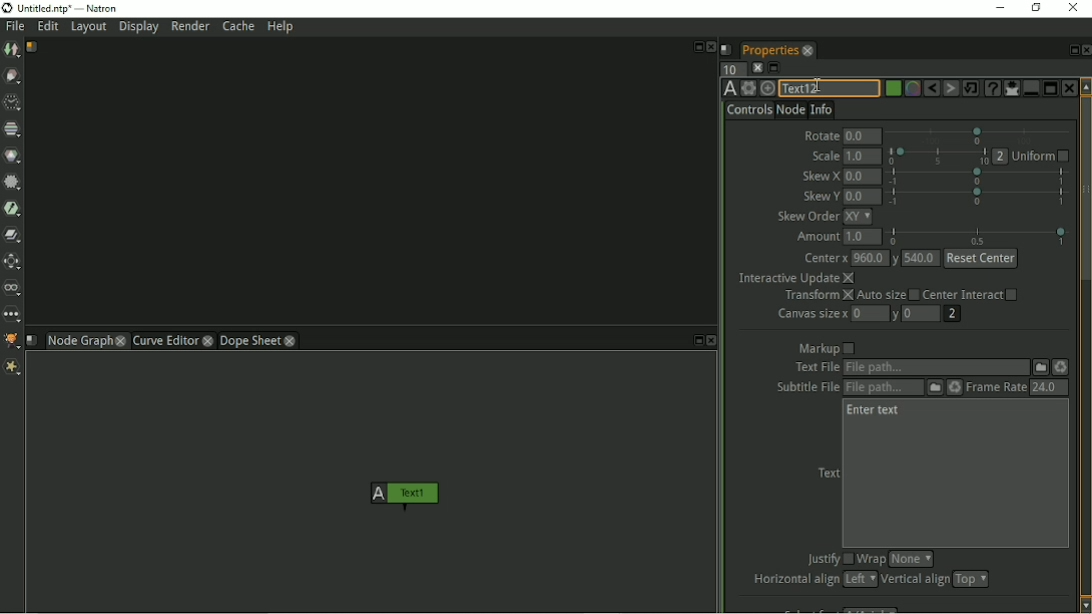 The width and height of the screenshot is (1092, 614). Describe the element at coordinates (1072, 8) in the screenshot. I see `Close` at that location.